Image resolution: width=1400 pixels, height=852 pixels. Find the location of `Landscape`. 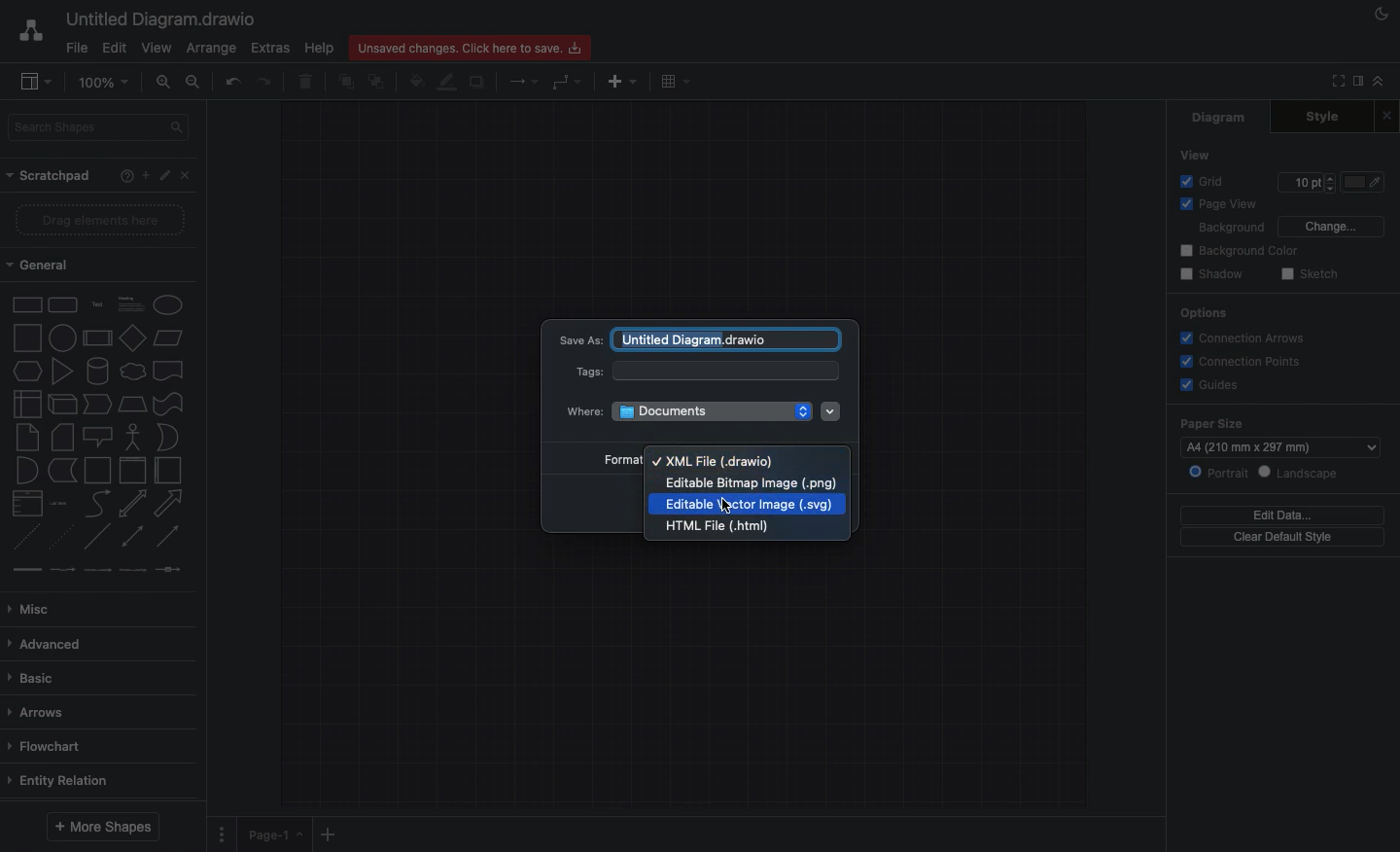

Landscape is located at coordinates (1307, 472).